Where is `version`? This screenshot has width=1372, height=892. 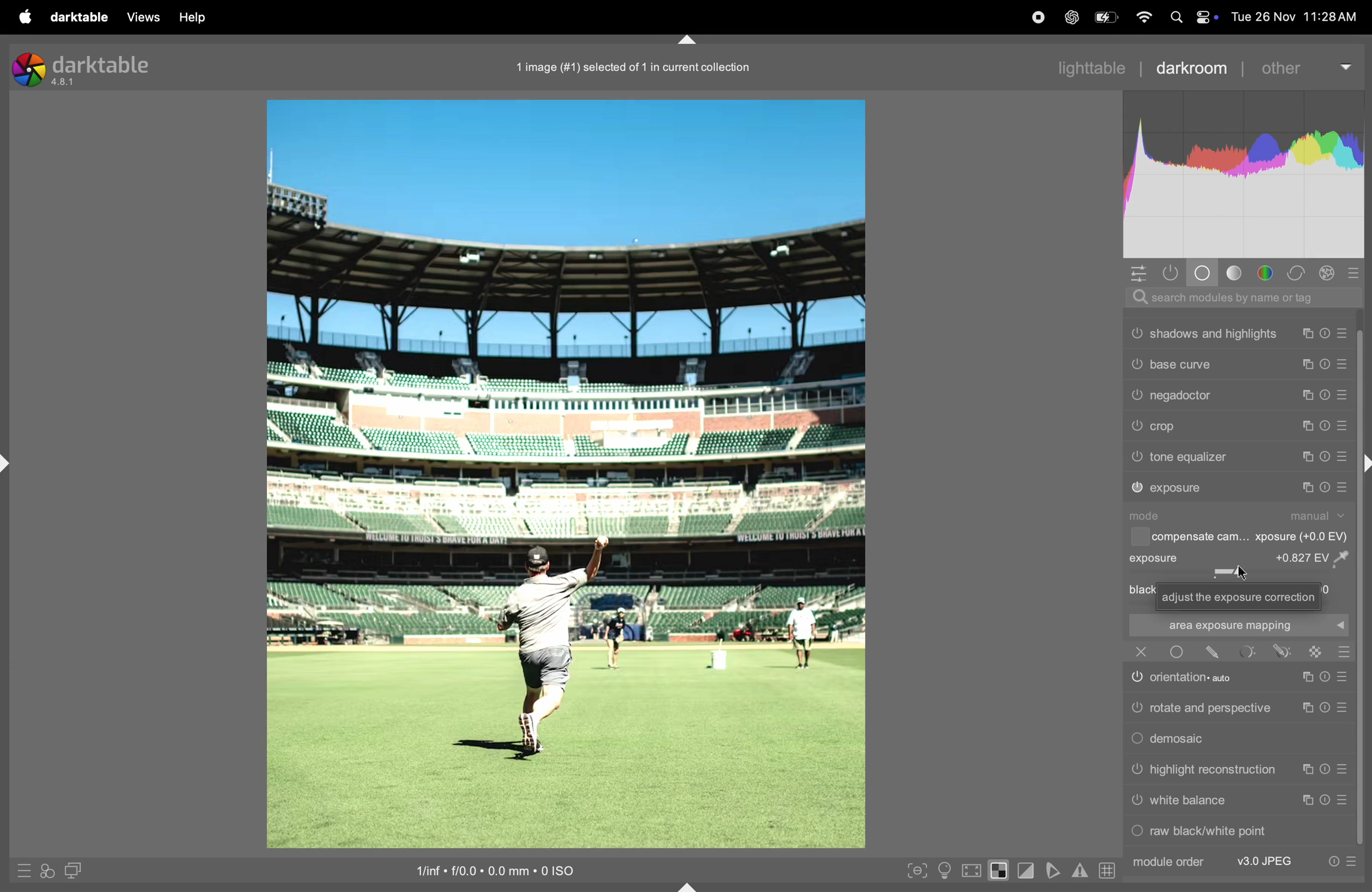 version is located at coordinates (65, 83).